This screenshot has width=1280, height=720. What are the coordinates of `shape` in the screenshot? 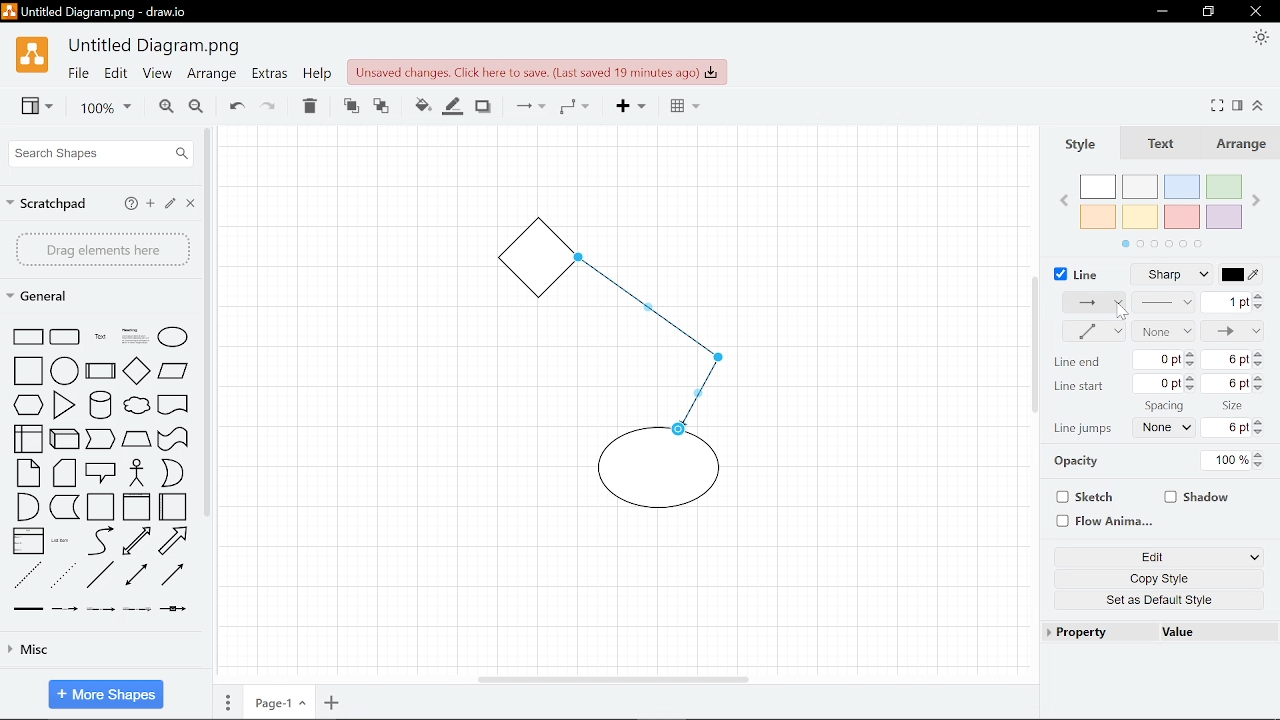 It's located at (23, 439).